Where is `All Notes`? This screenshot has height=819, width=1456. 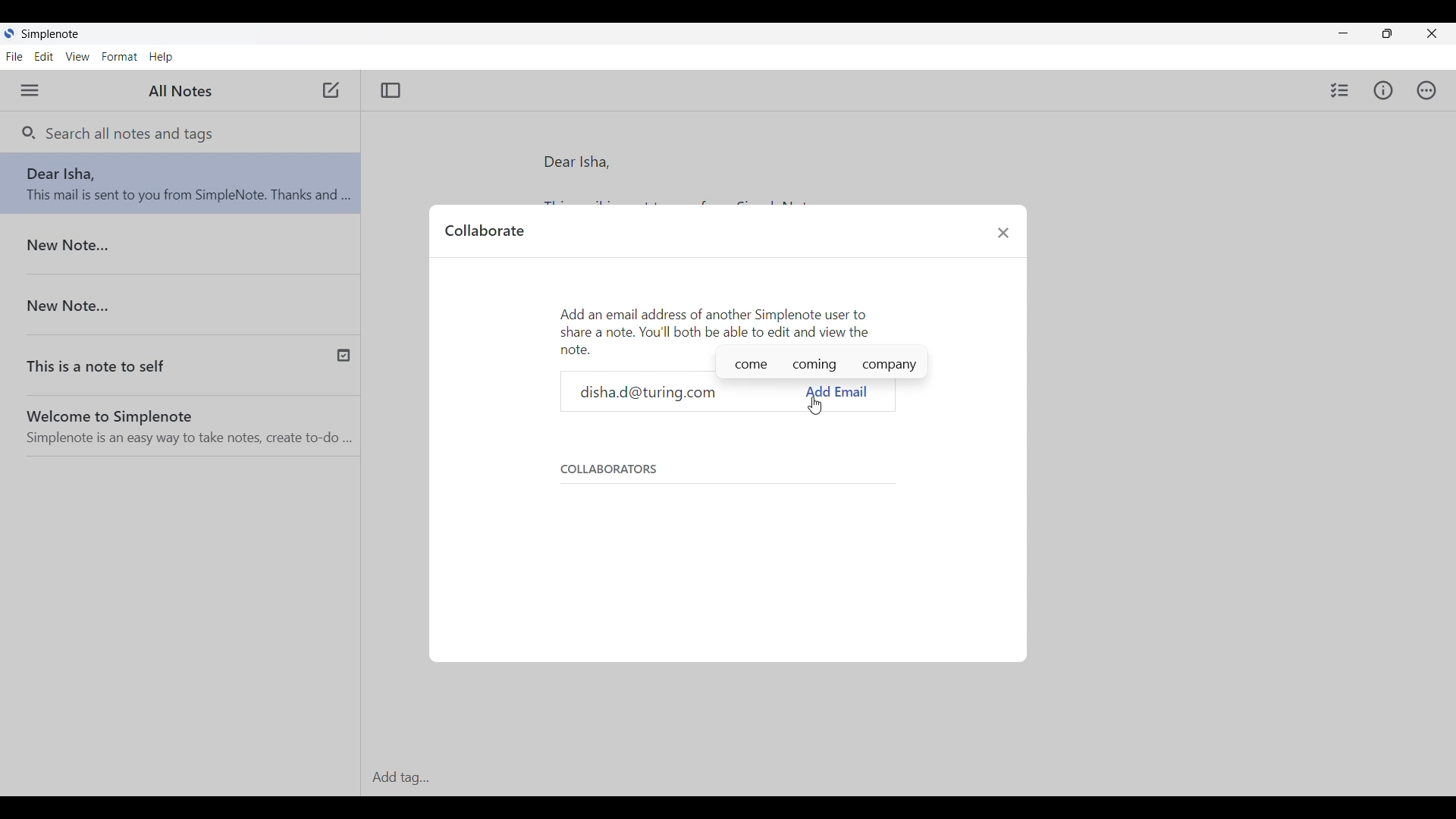
All Notes is located at coordinates (178, 92).